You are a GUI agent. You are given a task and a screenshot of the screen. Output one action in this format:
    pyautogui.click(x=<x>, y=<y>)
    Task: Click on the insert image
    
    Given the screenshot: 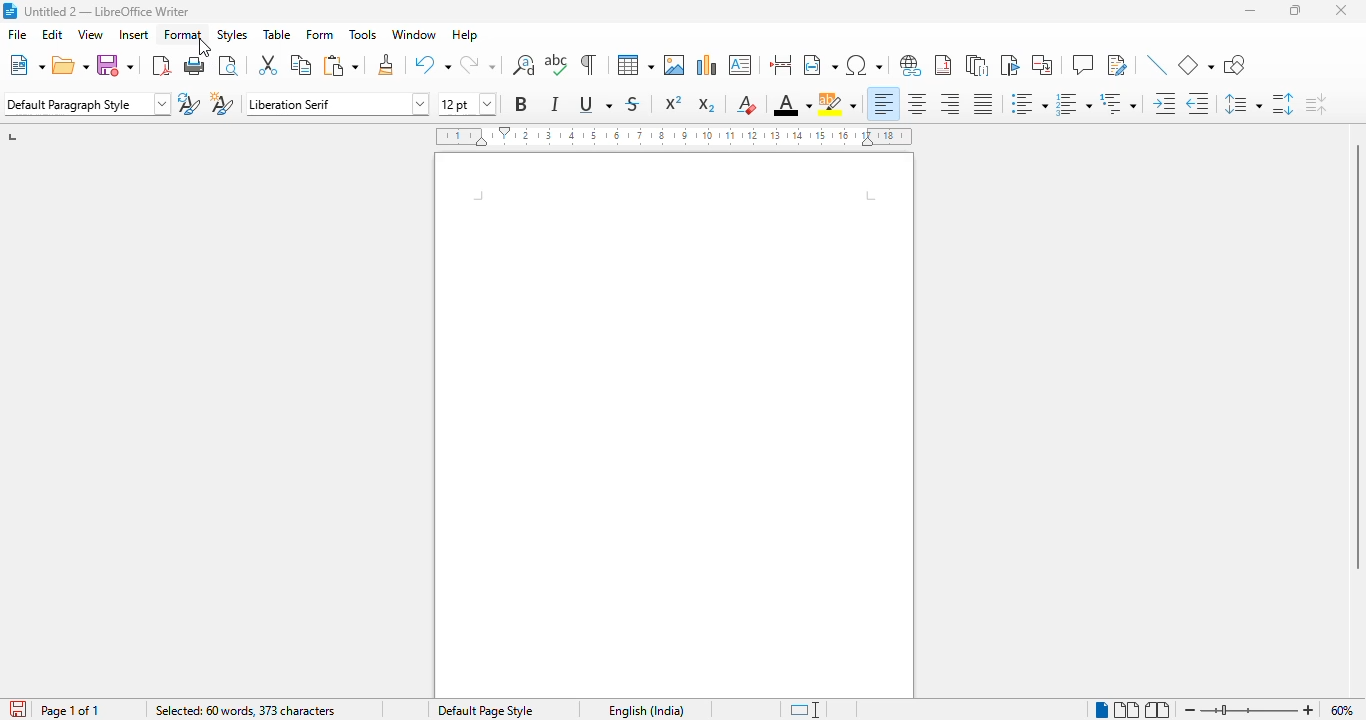 What is the action you would take?
    pyautogui.click(x=674, y=65)
    